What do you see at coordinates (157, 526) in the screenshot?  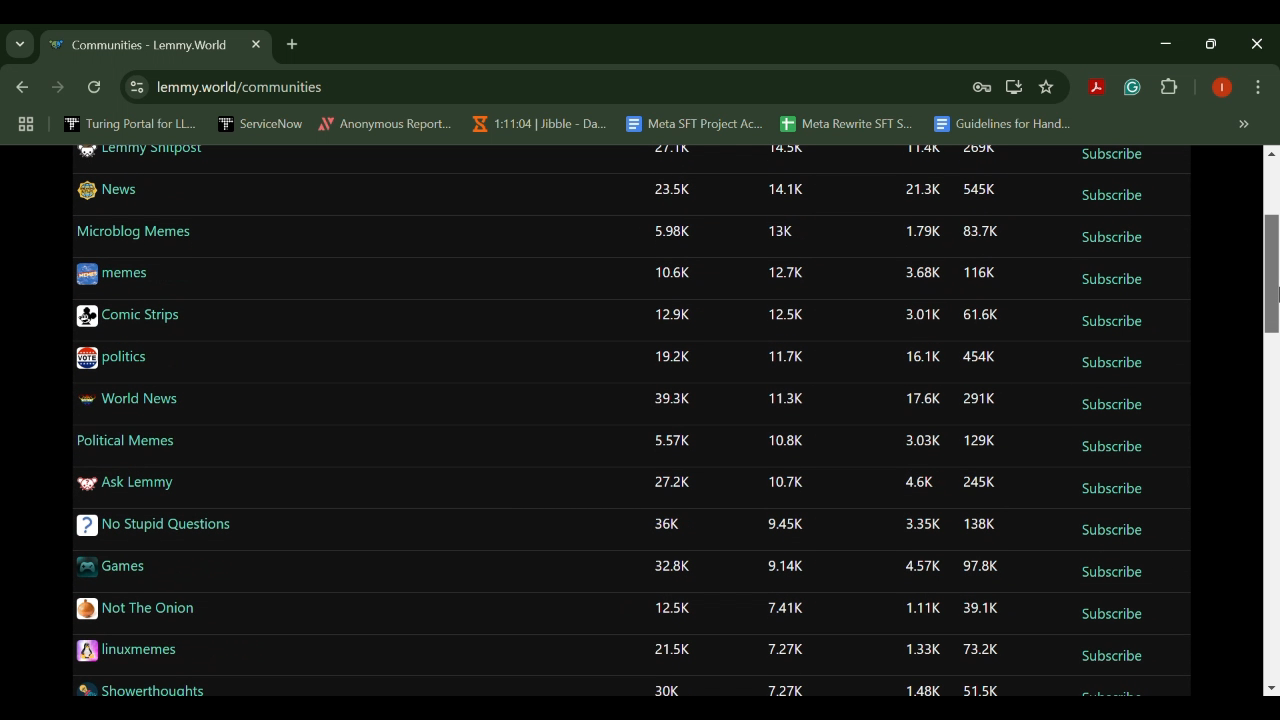 I see `No Stupid Questions` at bounding box center [157, 526].